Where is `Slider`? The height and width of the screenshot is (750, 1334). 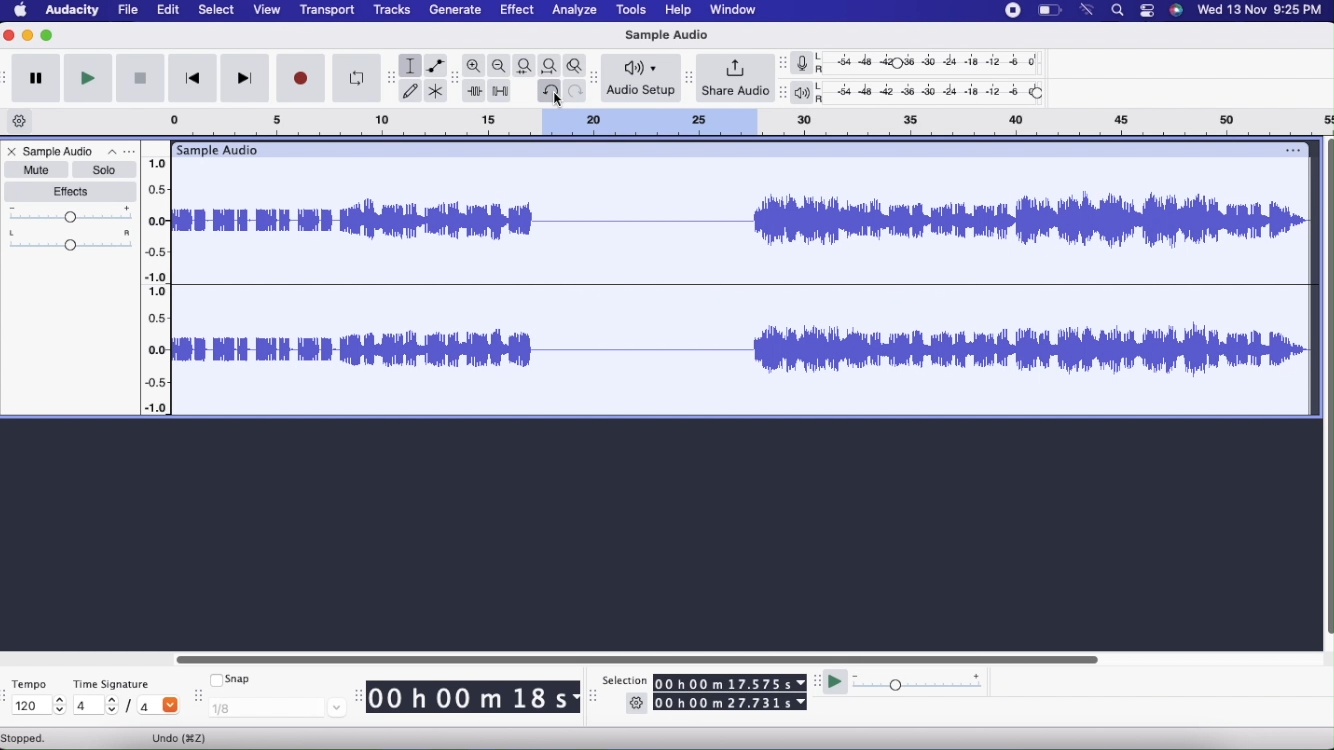
Slider is located at coordinates (158, 282).